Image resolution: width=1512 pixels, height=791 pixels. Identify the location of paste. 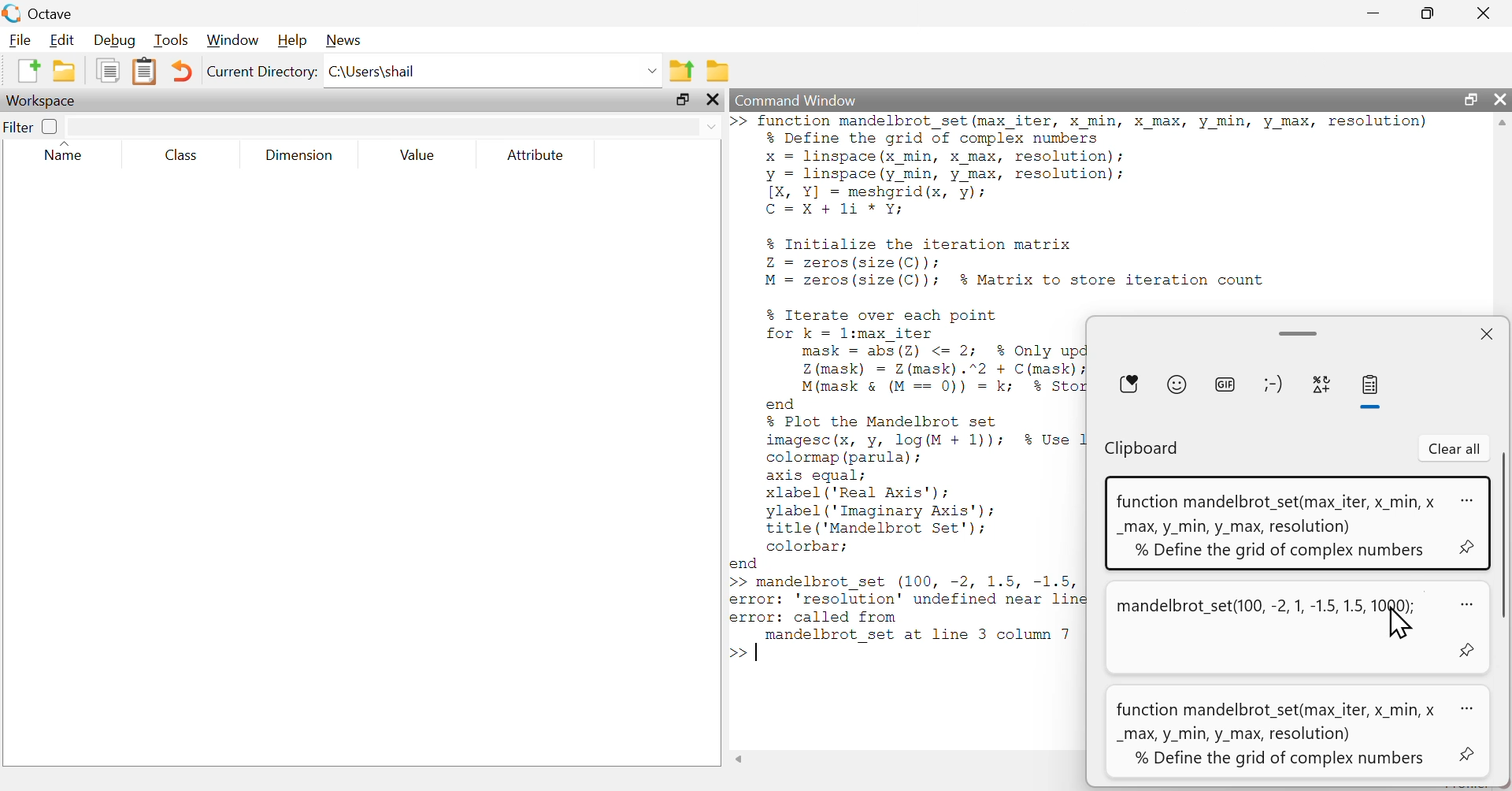
(1369, 392).